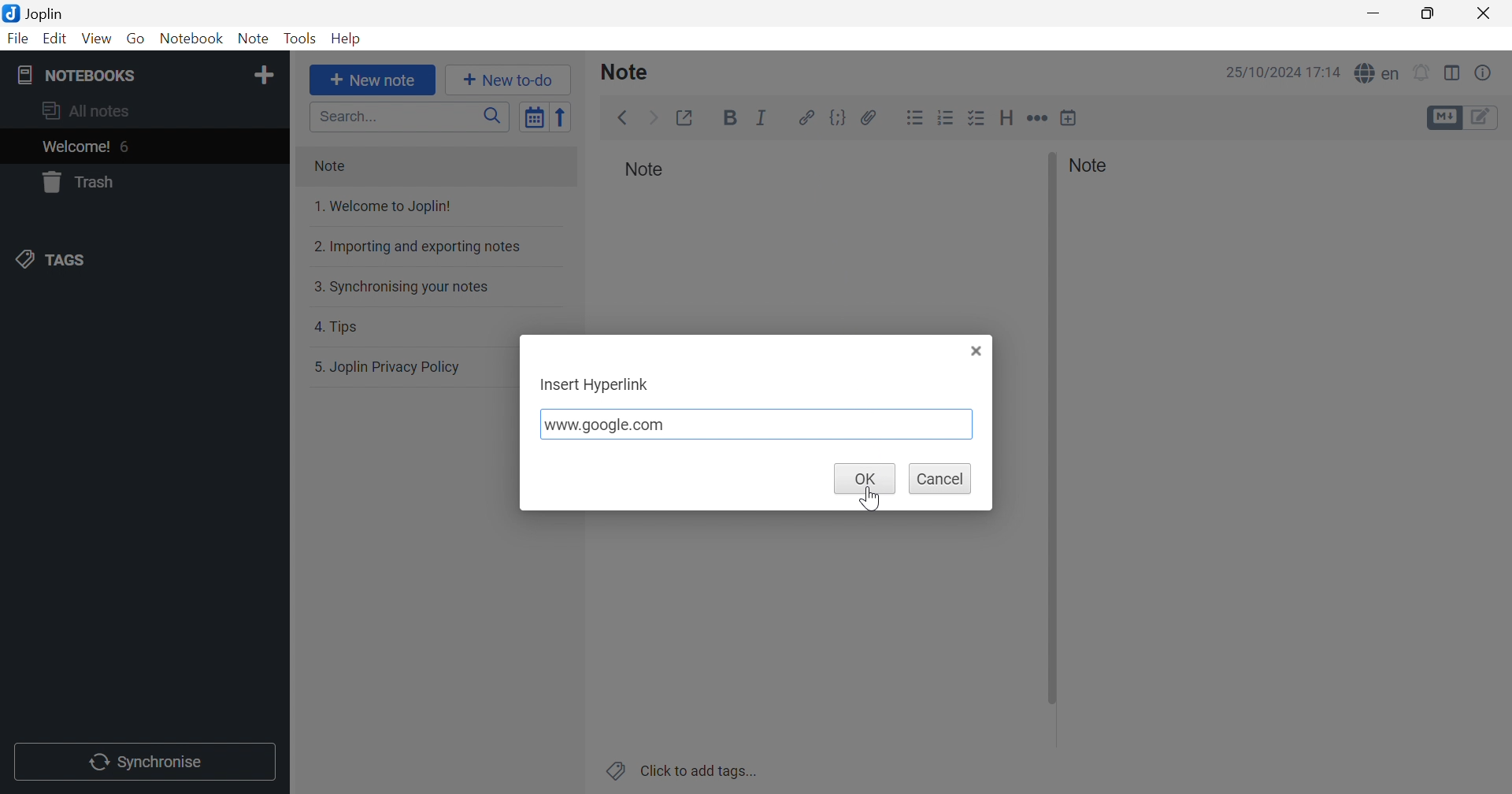  I want to click on Synchronise, so click(145, 762).